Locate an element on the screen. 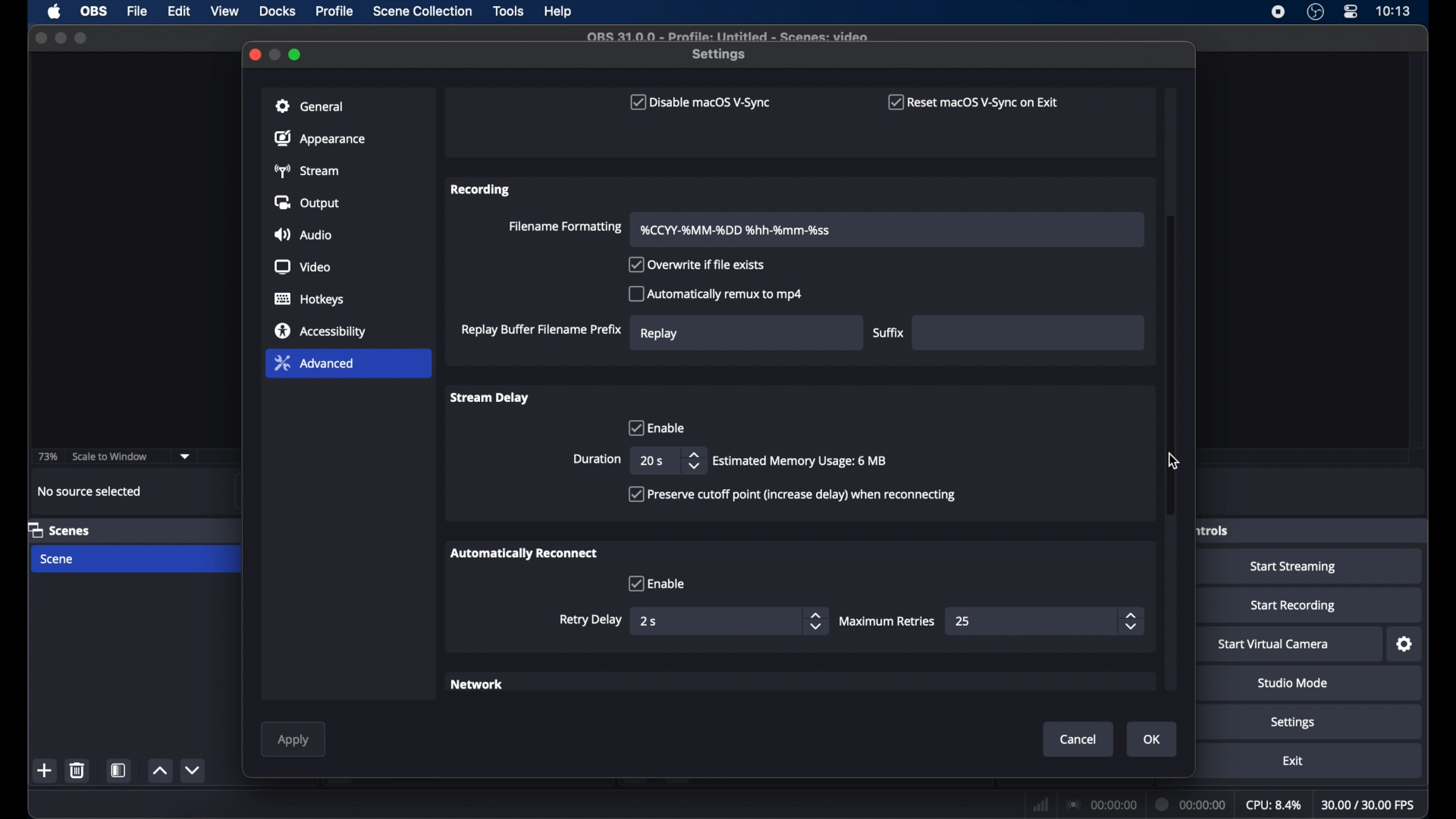 Image resolution: width=1456 pixels, height=819 pixels. stream is located at coordinates (306, 171).